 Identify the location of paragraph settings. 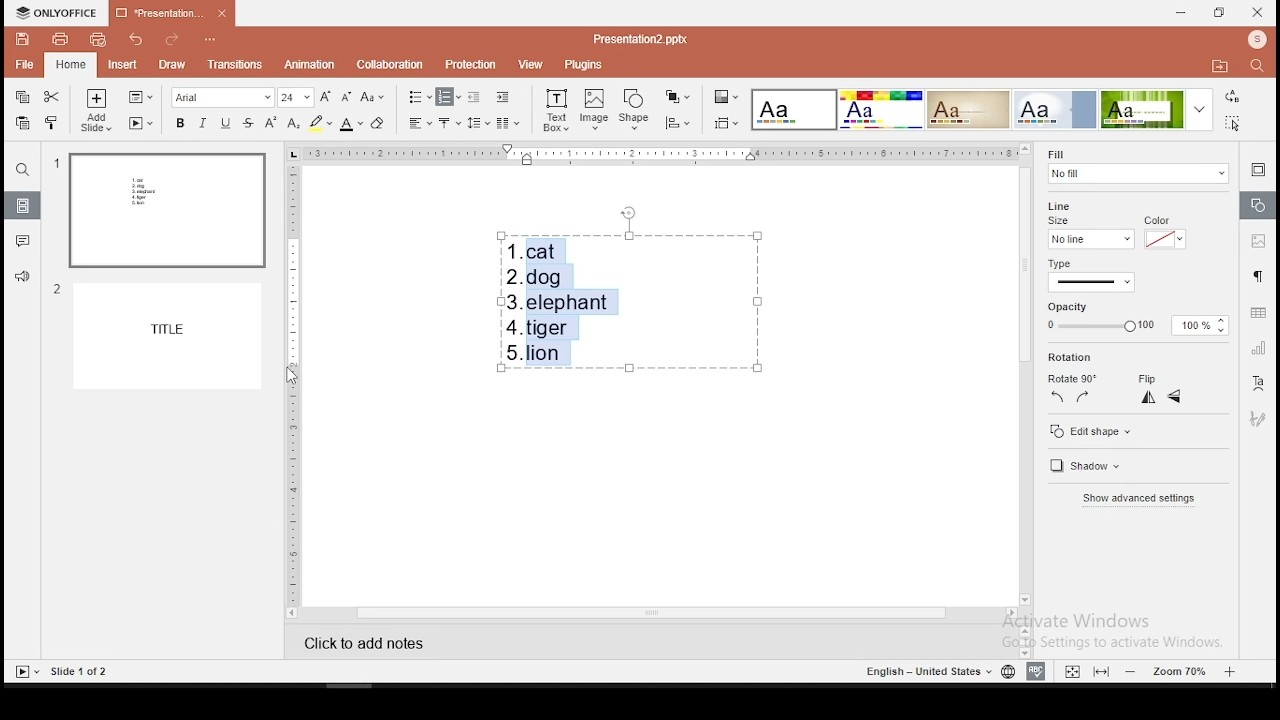
(1257, 276).